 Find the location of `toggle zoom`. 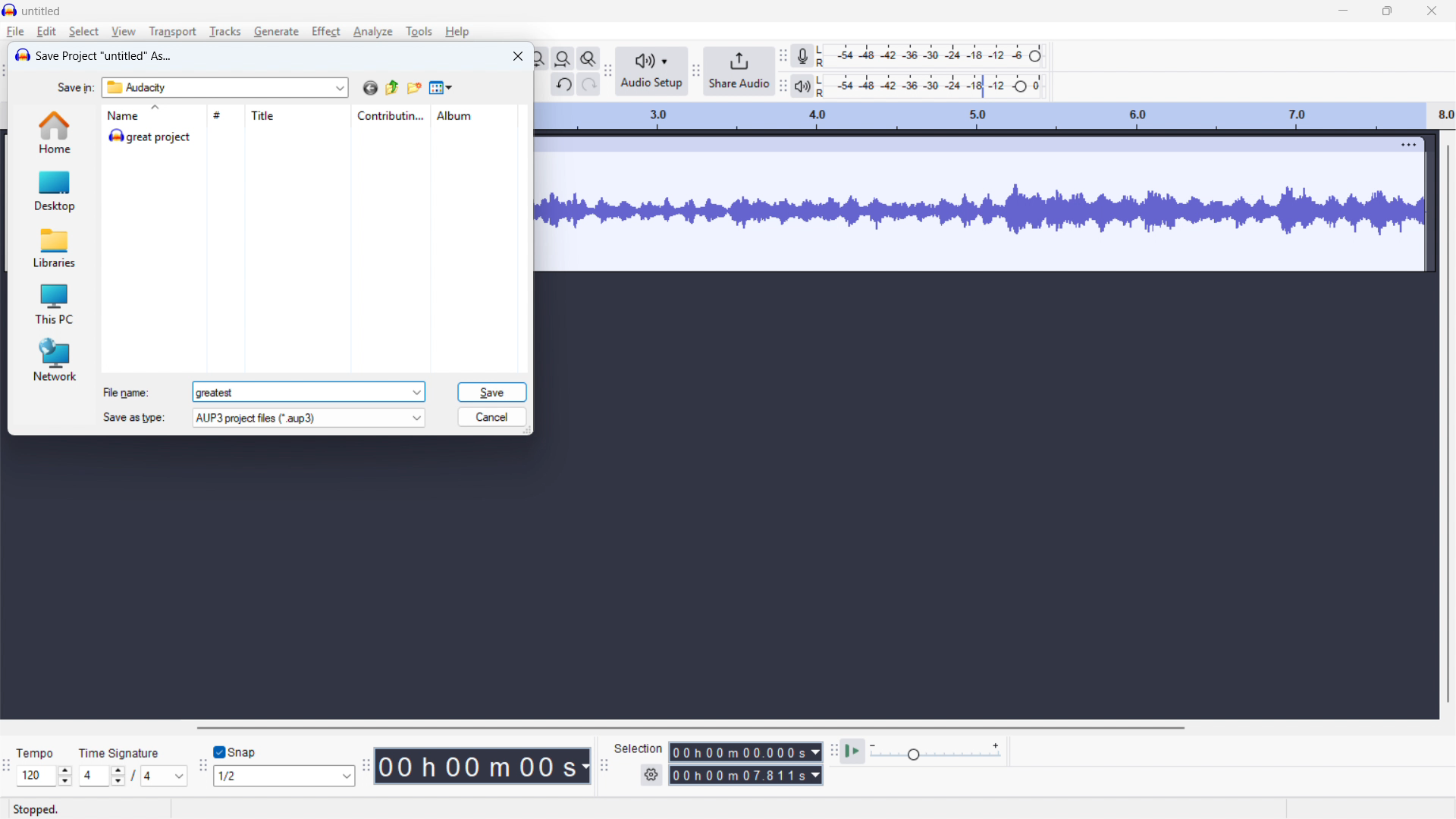

toggle zoom is located at coordinates (588, 58).